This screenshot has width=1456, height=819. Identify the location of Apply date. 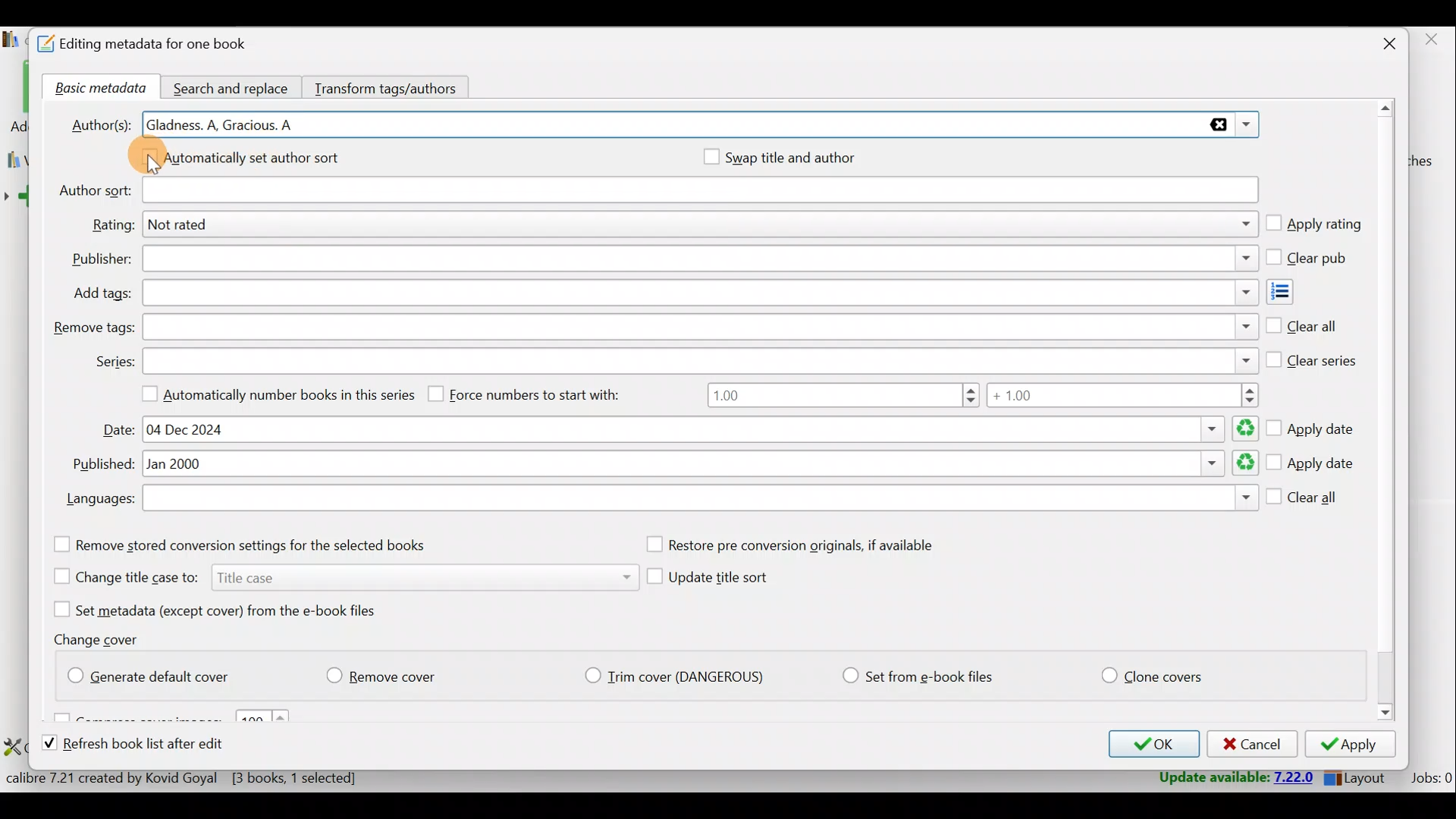
(1311, 464).